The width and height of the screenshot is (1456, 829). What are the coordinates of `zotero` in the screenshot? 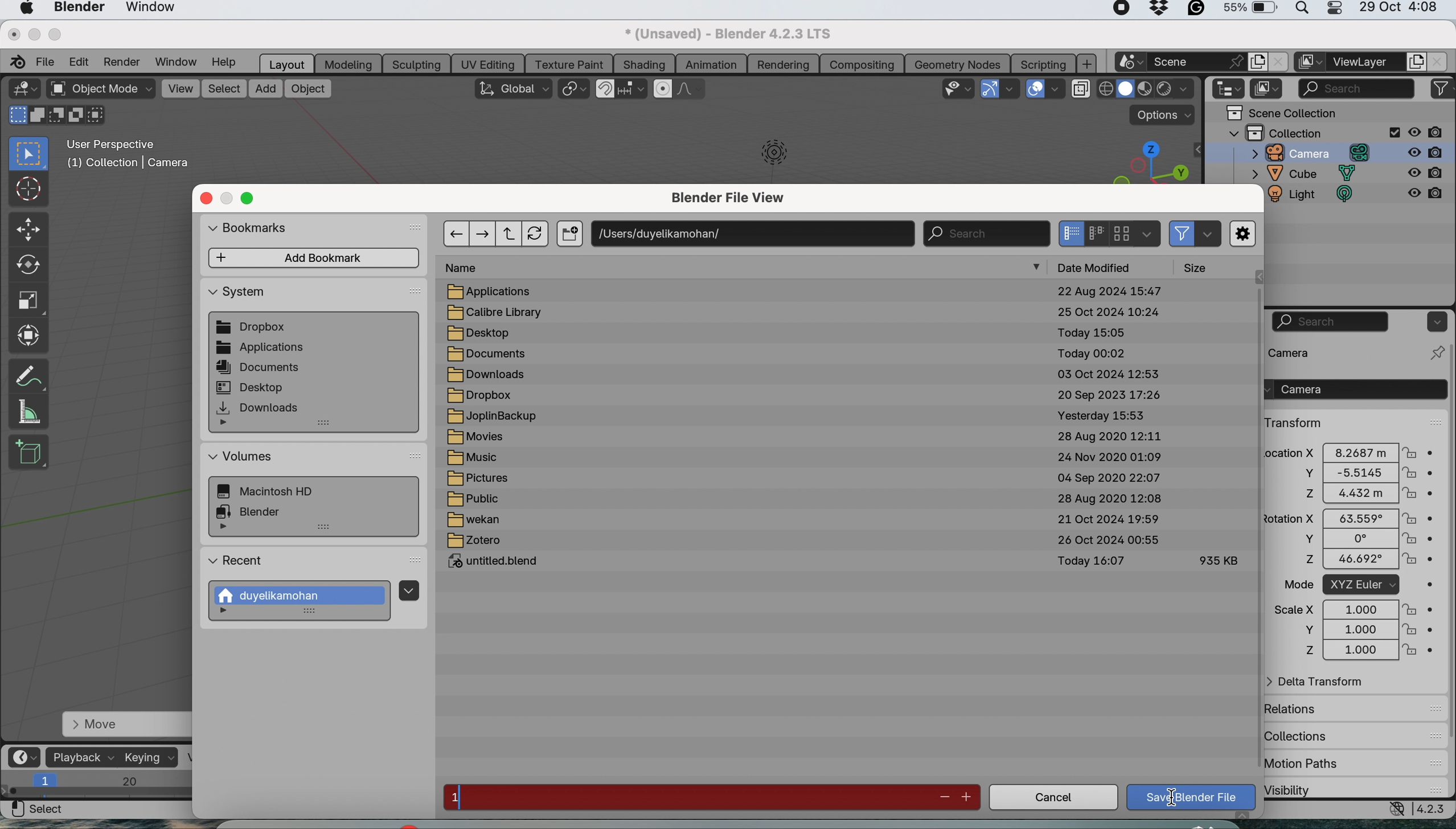 It's located at (475, 541).